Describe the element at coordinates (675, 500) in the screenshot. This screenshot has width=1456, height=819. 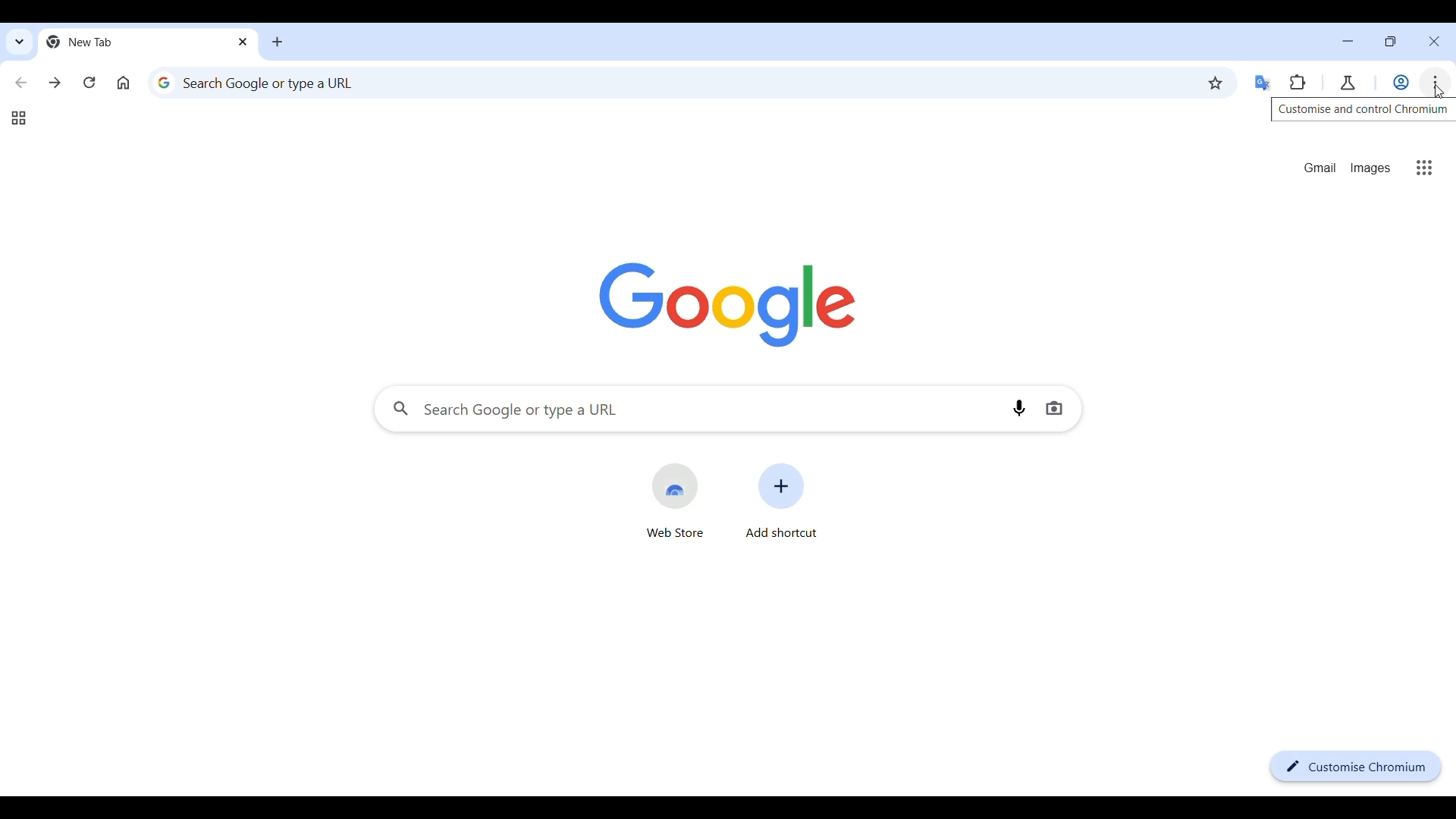
I see `webstore` at that location.